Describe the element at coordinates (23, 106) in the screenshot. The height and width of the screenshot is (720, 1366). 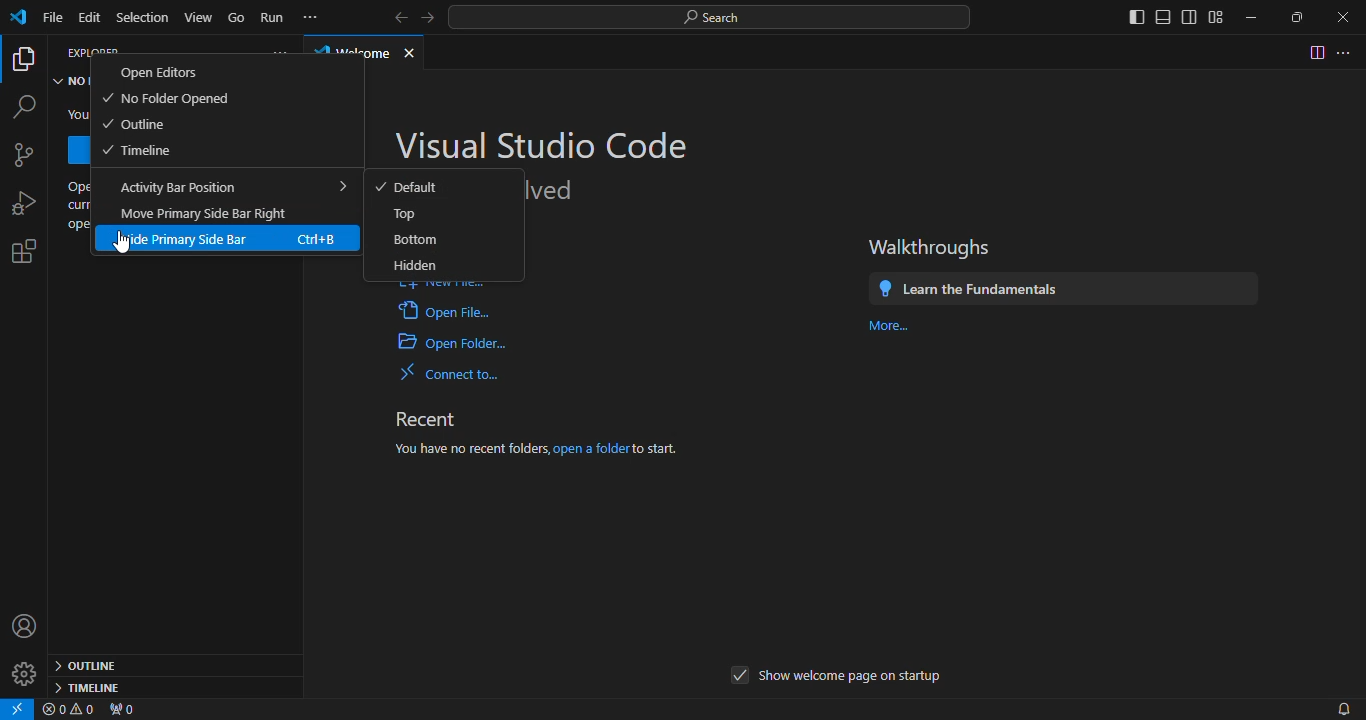
I see `find` at that location.